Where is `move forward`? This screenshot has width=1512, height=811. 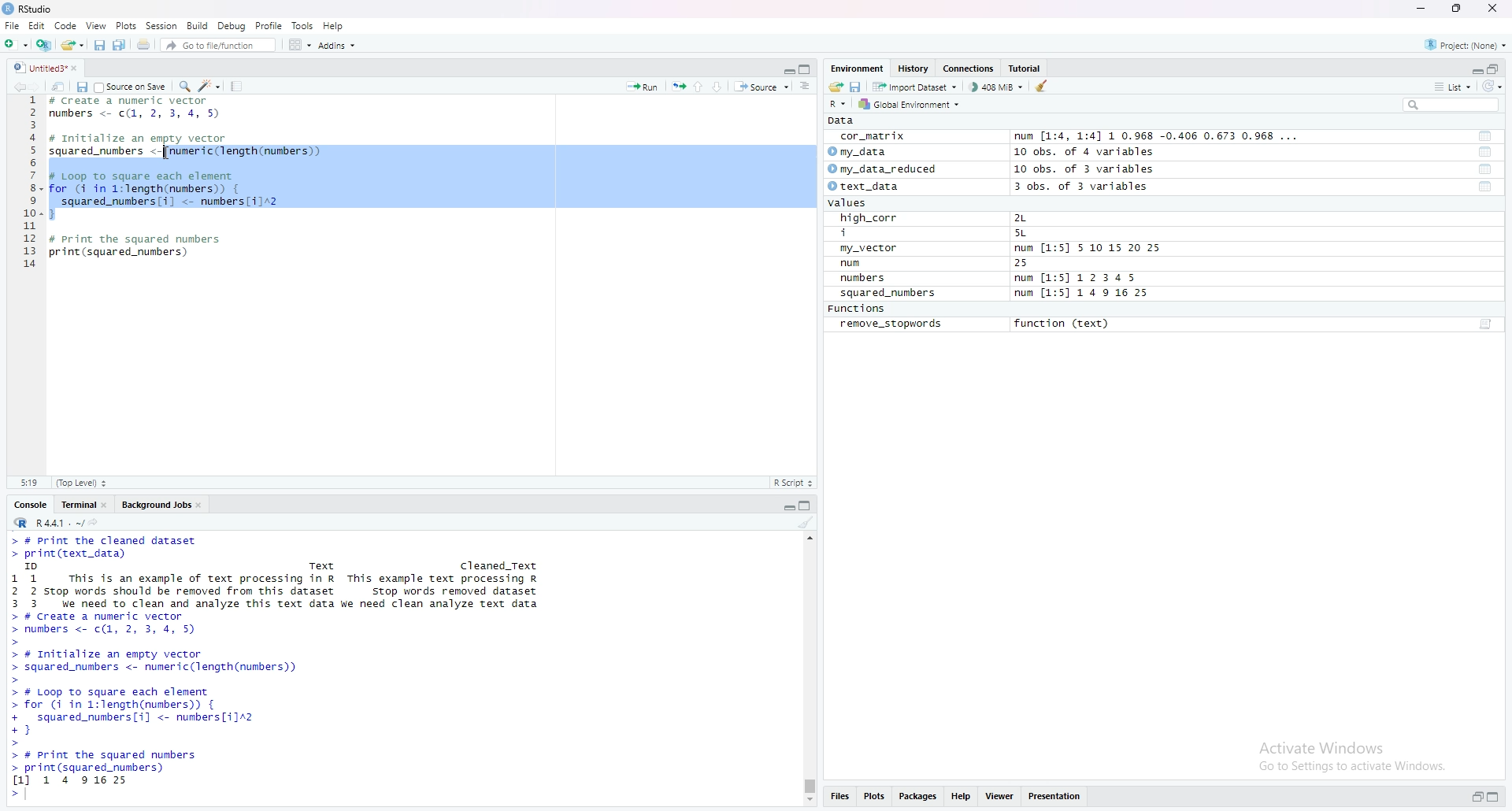 move forward is located at coordinates (39, 85).